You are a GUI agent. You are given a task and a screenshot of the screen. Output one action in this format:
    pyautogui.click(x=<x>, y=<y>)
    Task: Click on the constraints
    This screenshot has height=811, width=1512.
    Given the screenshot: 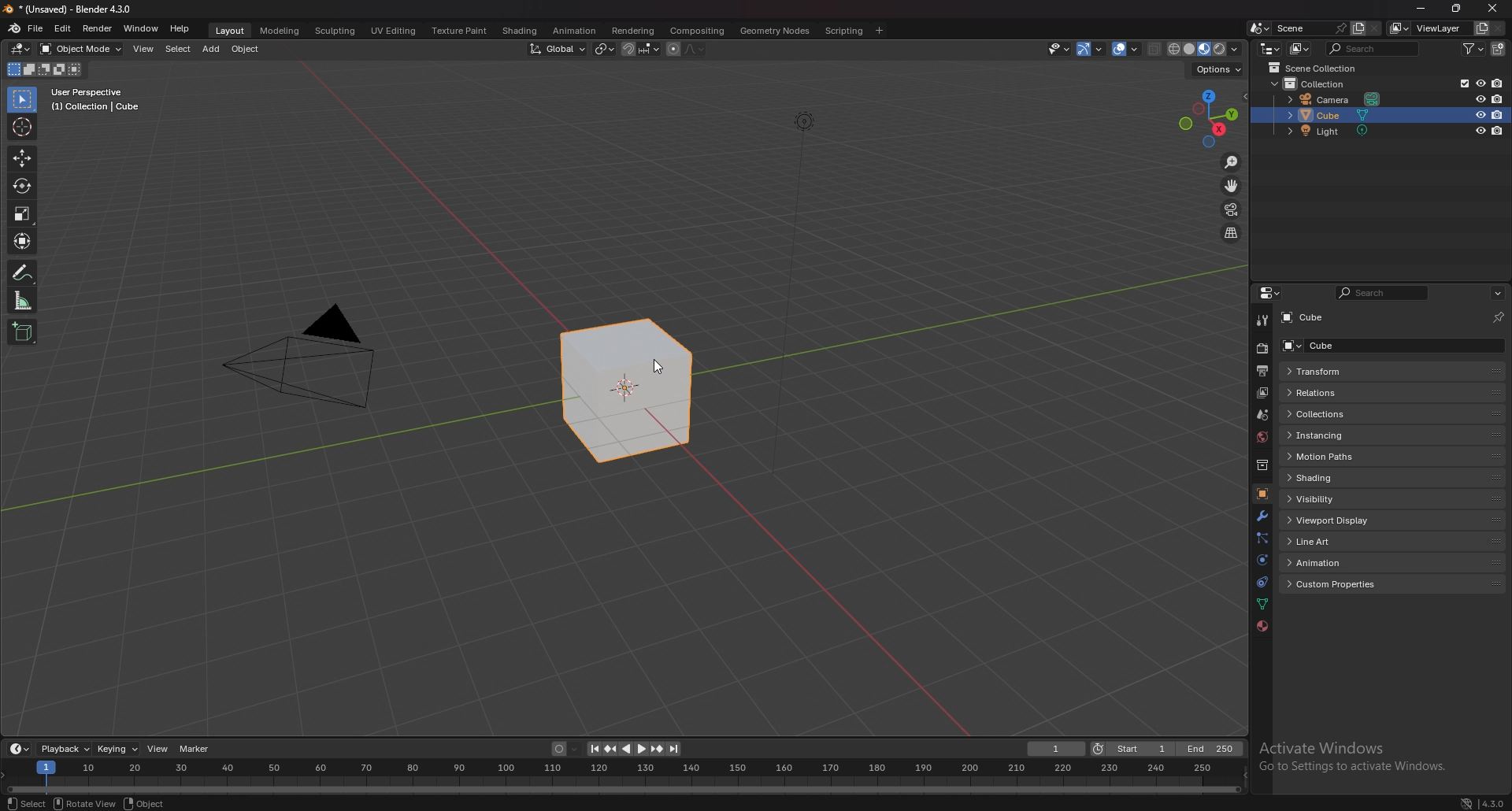 What is the action you would take?
    pyautogui.click(x=1260, y=582)
    